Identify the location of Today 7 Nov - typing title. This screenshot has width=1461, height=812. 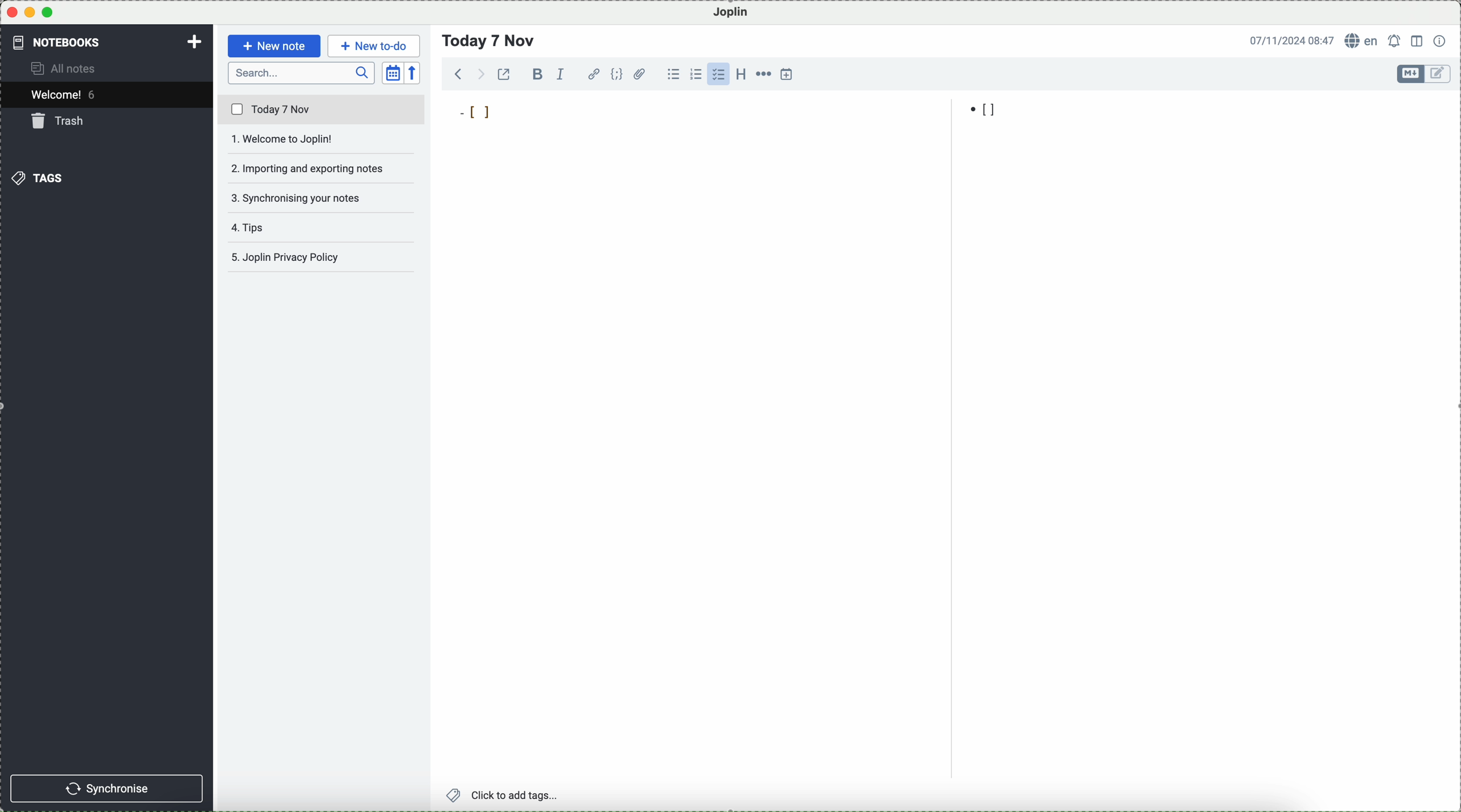
(489, 41).